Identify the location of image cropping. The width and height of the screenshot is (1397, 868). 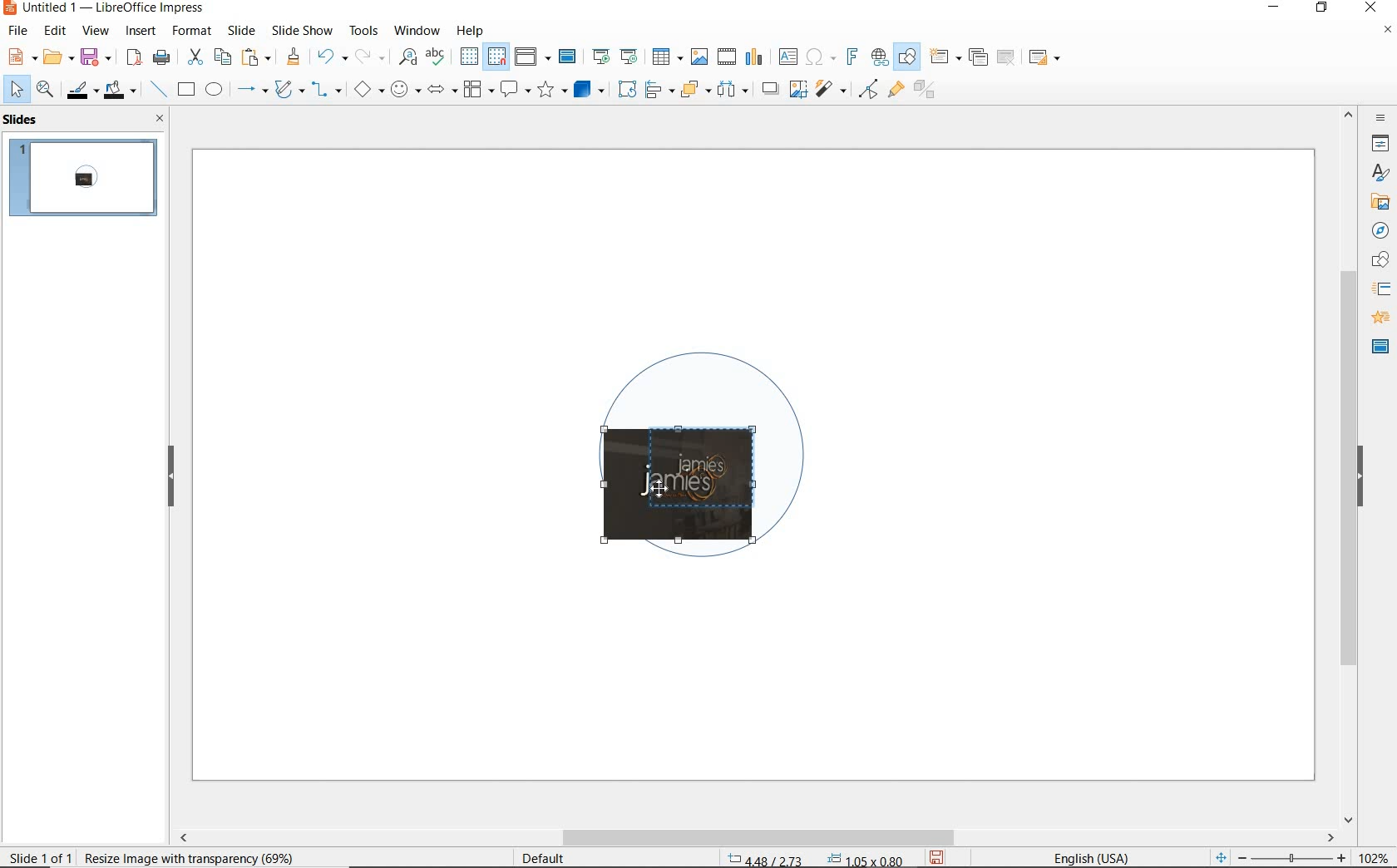
(684, 486).